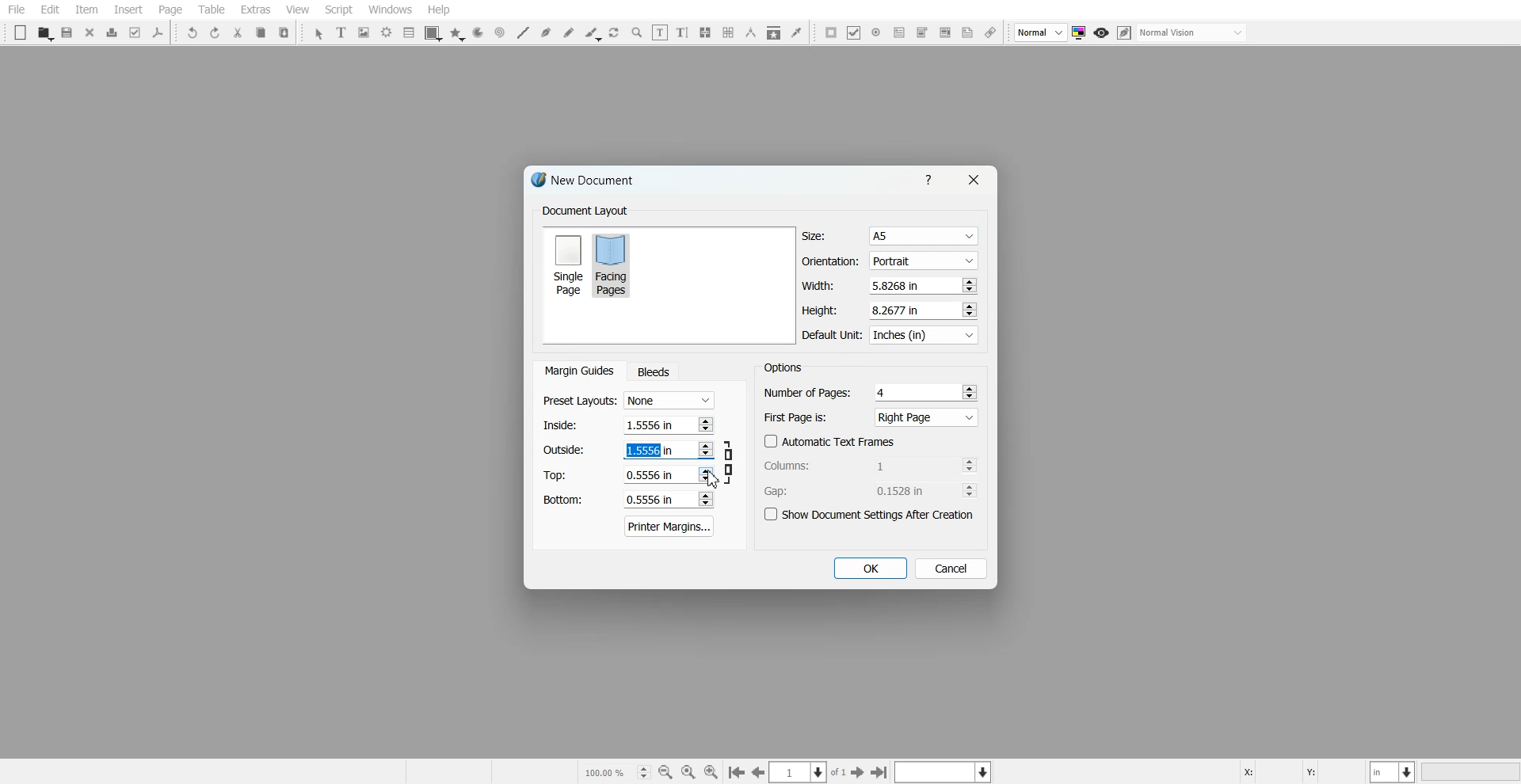  What do you see at coordinates (90, 32) in the screenshot?
I see `Close` at bounding box center [90, 32].